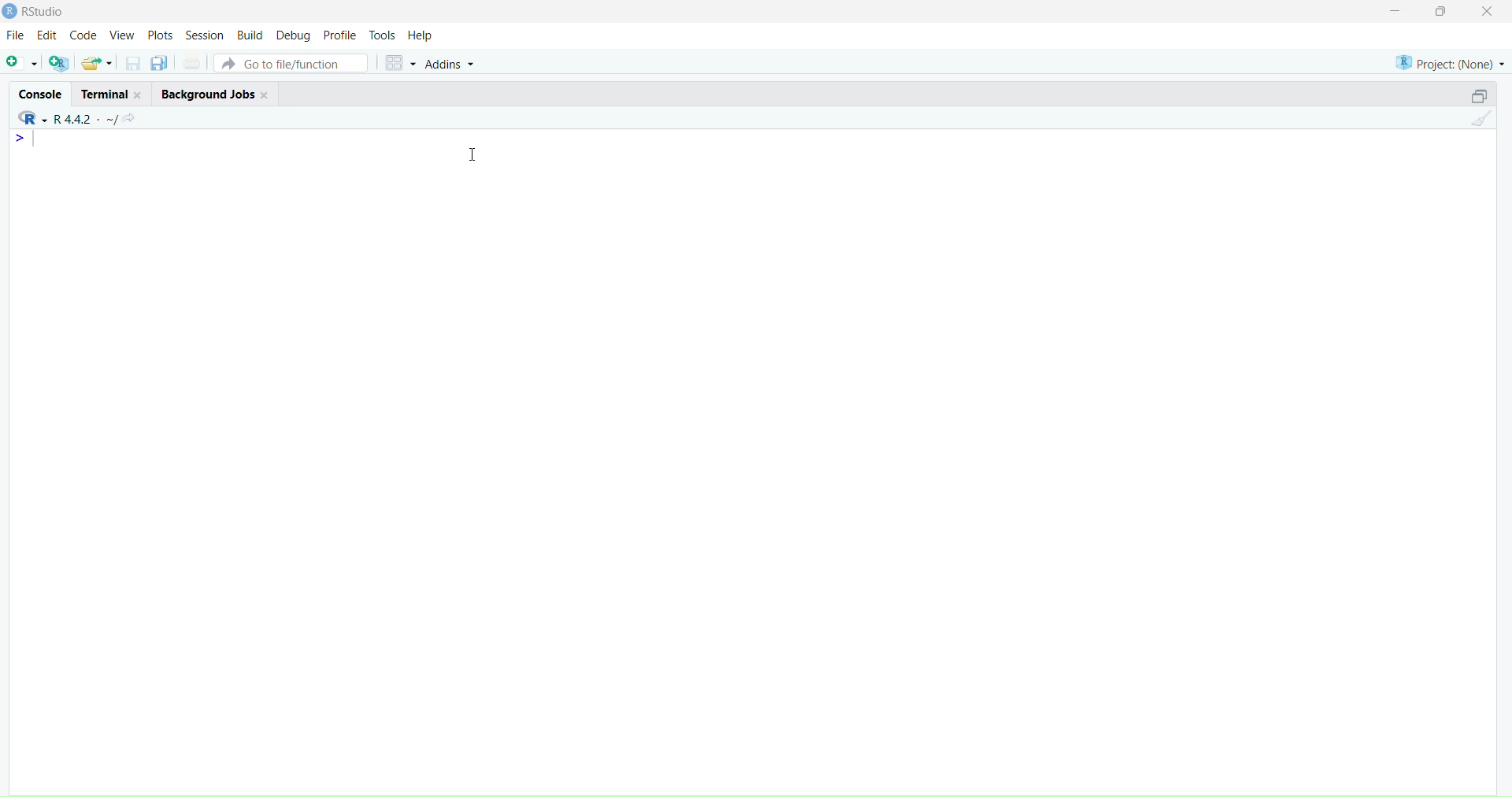 Image resolution: width=1512 pixels, height=797 pixels. What do you see at coordinates (139, 95) in the screenshot?
I see `close` at bounding box center [139, 95].